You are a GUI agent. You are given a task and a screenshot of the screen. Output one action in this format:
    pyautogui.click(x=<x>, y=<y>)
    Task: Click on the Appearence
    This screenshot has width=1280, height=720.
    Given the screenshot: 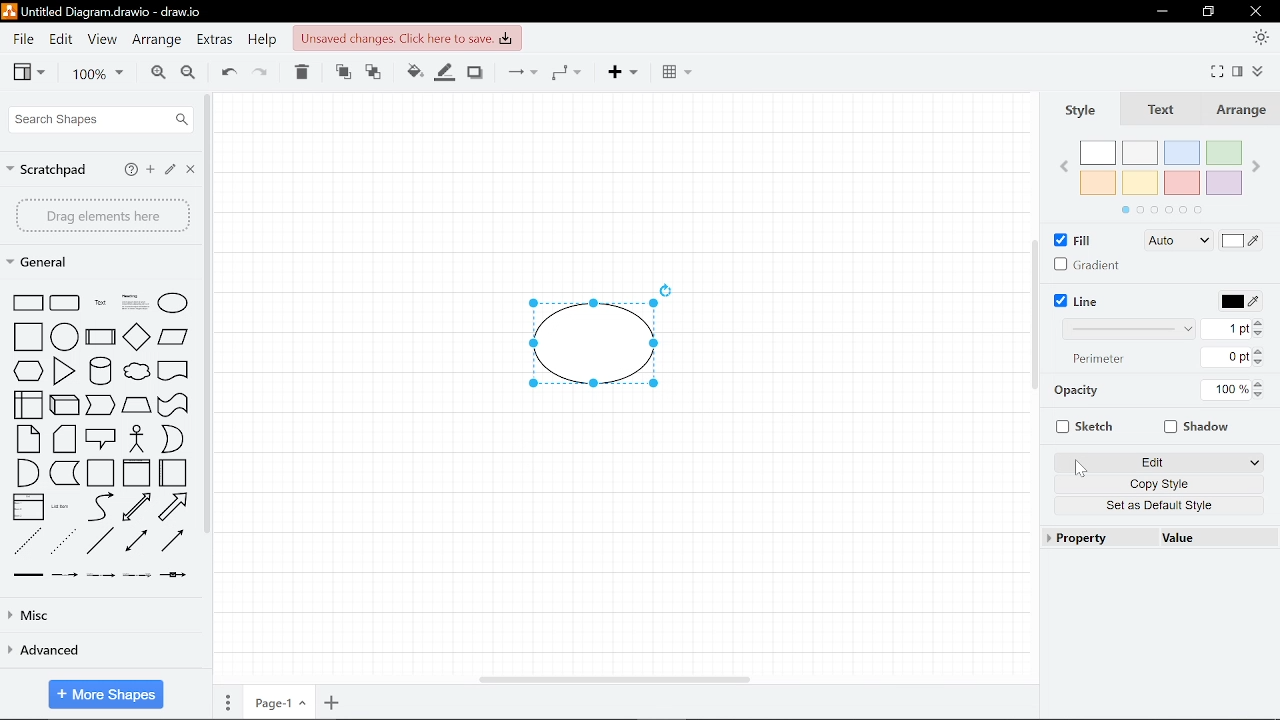 What is the action you would take?
    pyautogui.click(x=1262, y=39)
    